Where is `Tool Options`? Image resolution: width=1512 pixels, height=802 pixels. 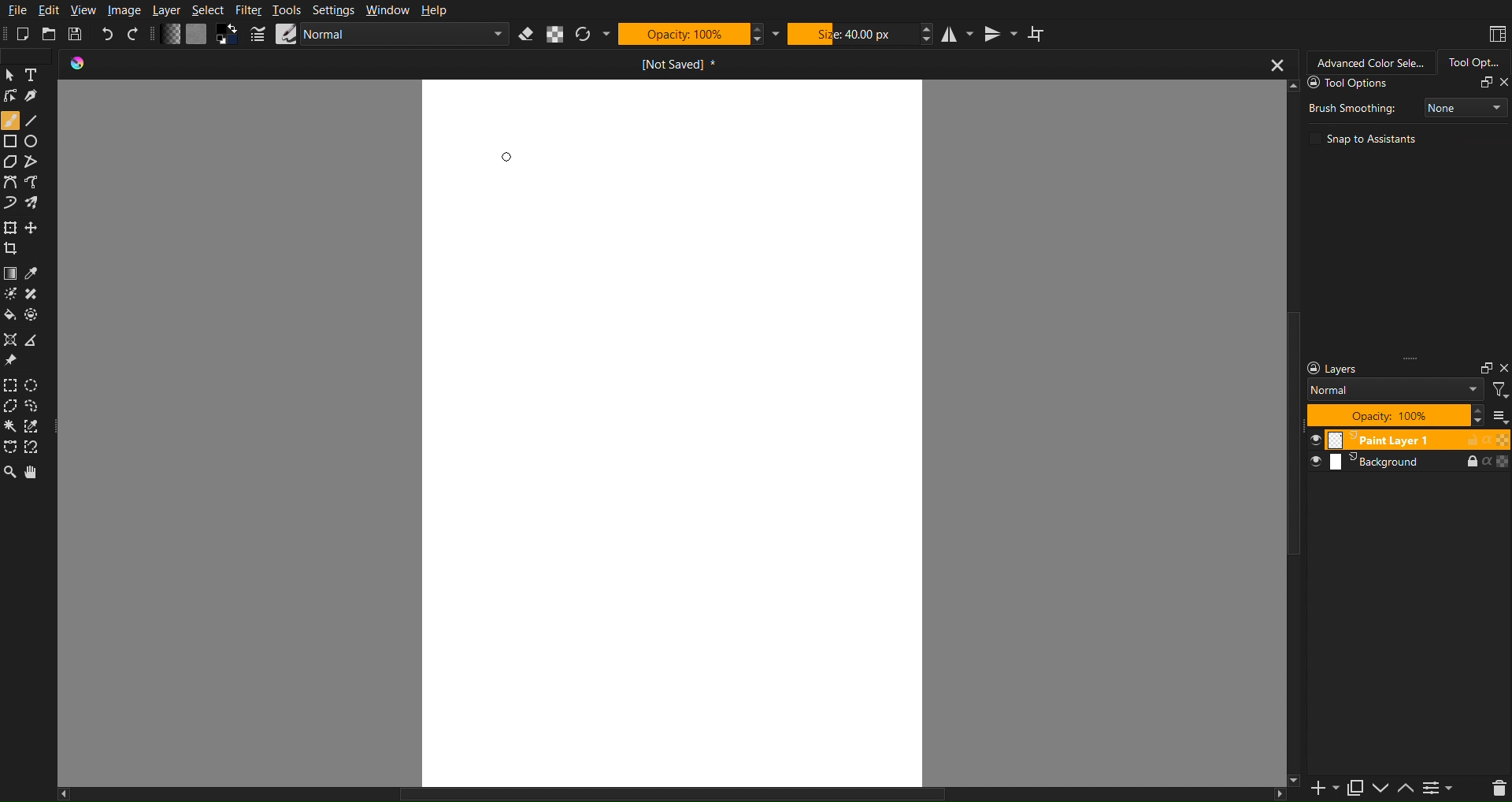
Tool Options is located at coordinates (1473, 62).